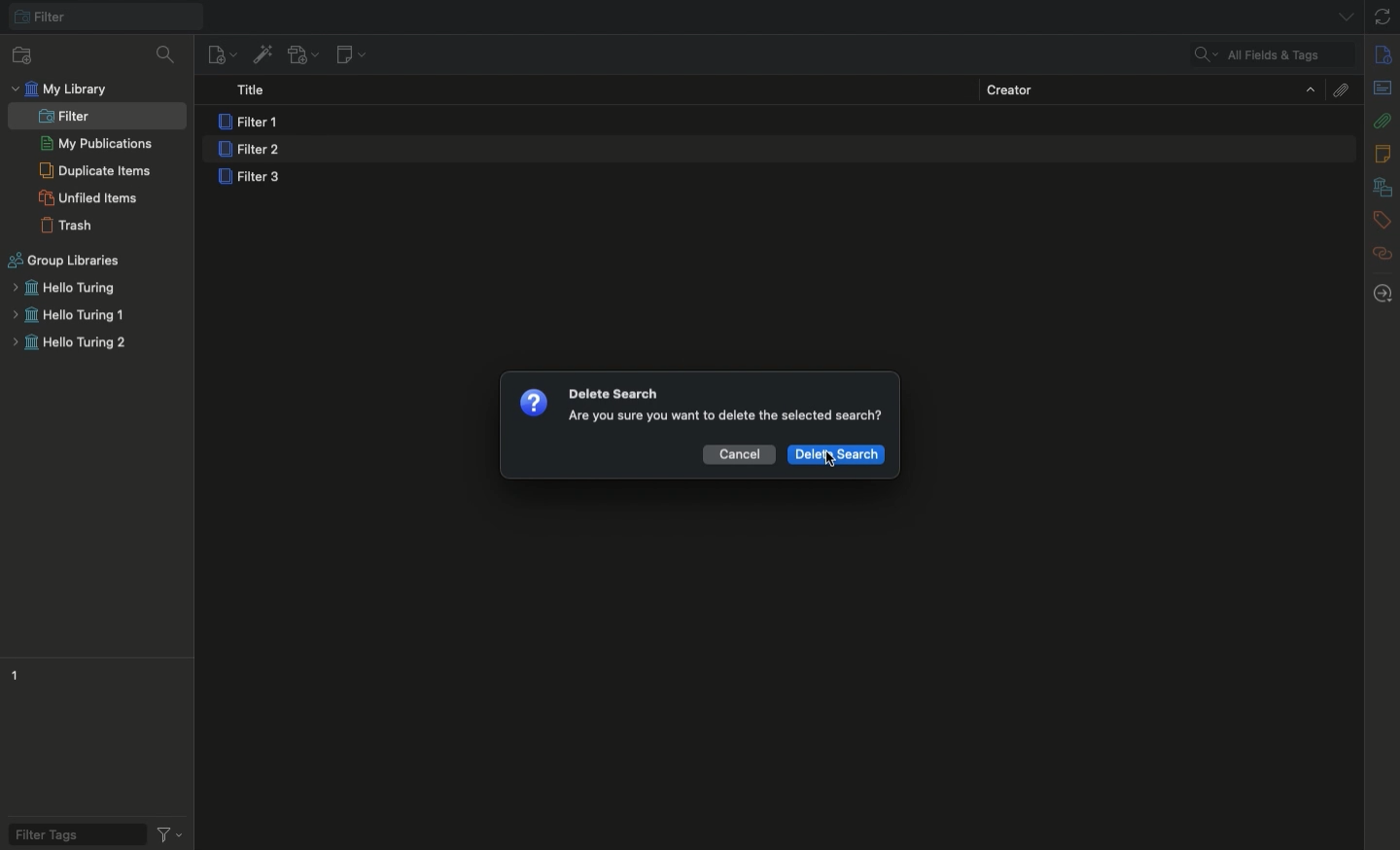  What do you see at coordinates (1383, 17) in the screenshot?
I see `Sync` at bounding box center [1383, 17].